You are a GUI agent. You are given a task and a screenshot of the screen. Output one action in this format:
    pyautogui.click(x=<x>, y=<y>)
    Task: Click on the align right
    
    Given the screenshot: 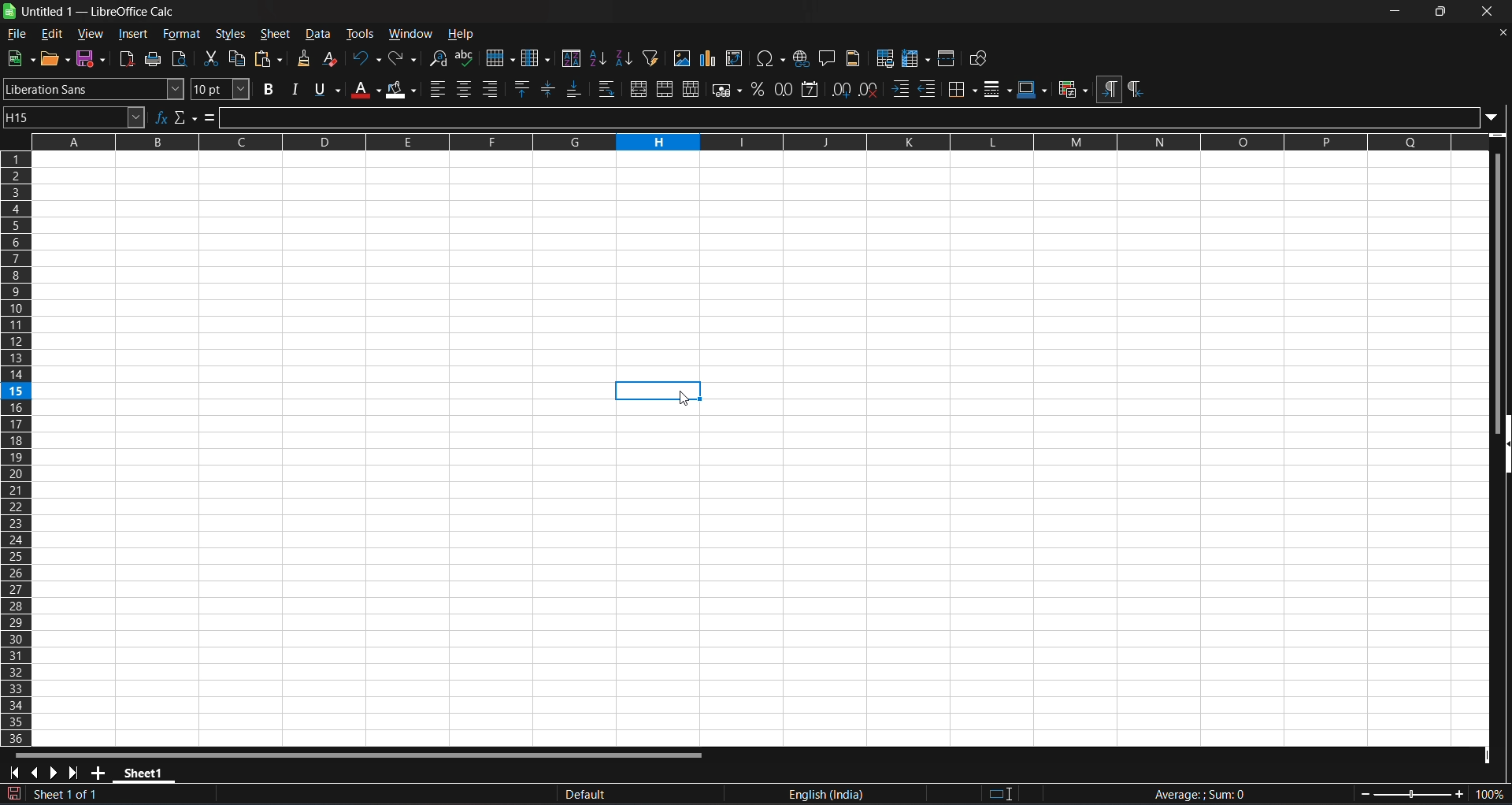 What is the action you would take?
    pyautogui.click(x=493, y=89)
    